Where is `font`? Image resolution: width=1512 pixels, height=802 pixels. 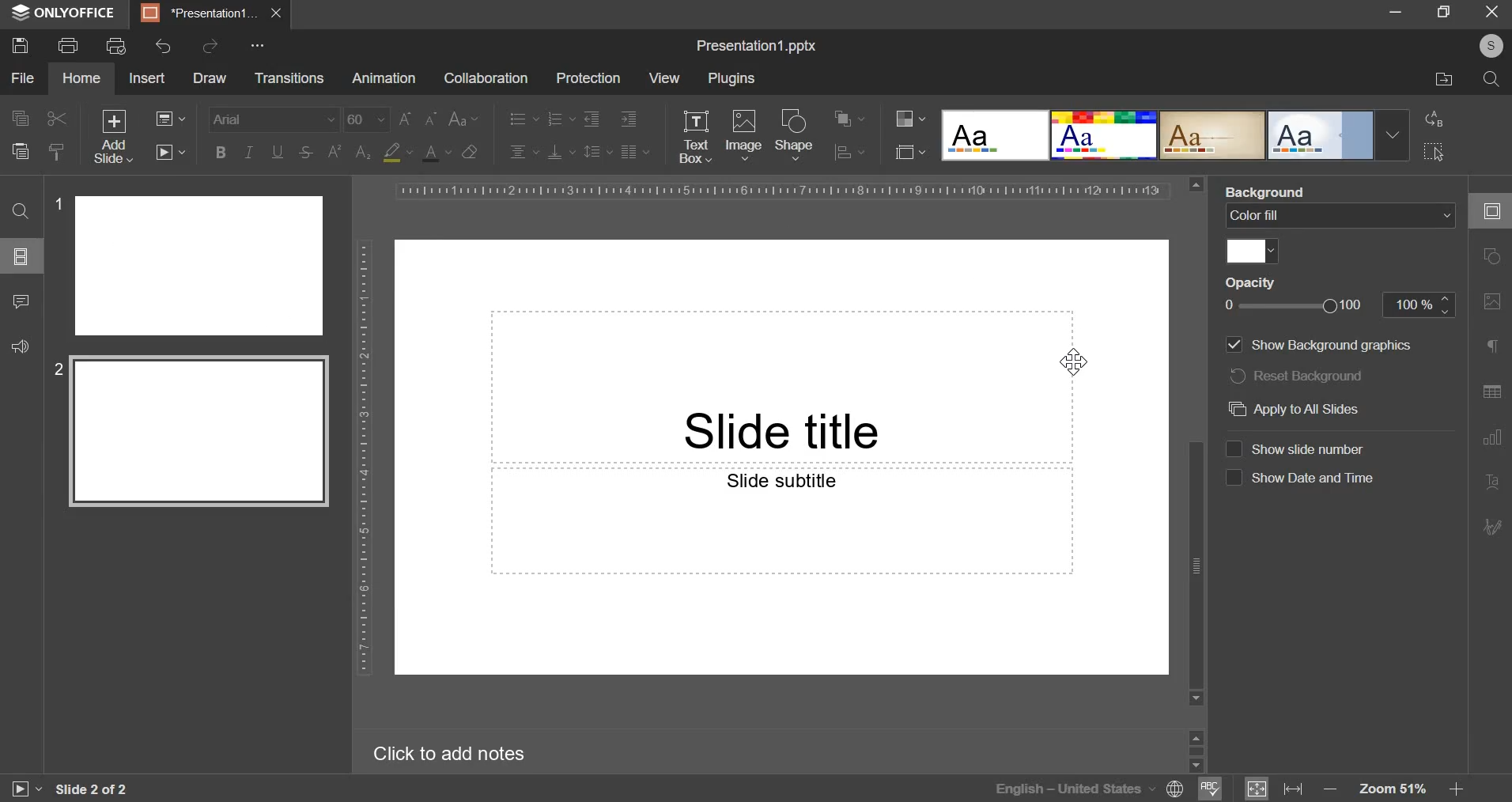
font is located at coordinates (275, 118).